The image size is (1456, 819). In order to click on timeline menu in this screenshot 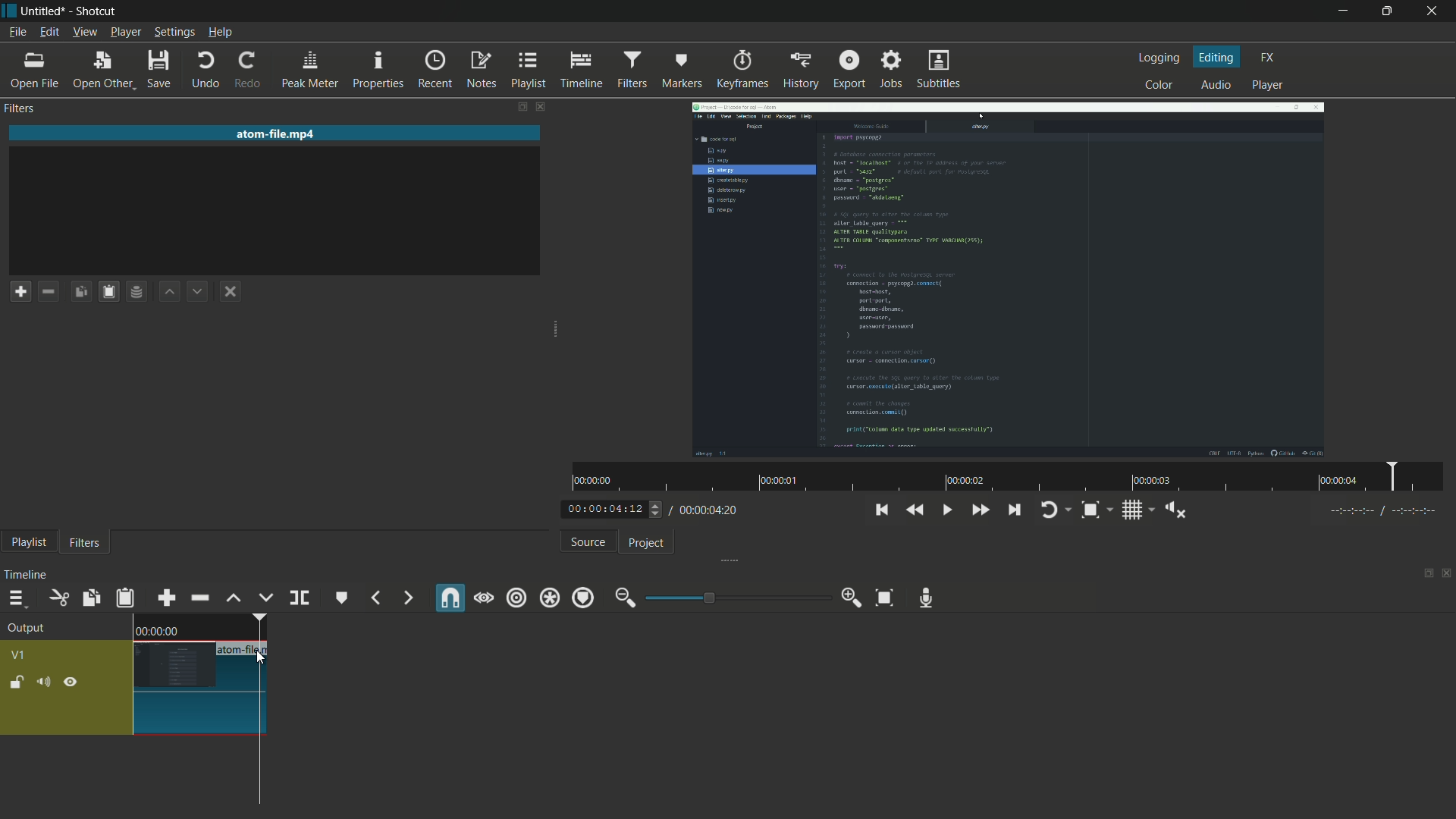, I will do `click(15, 600)`.